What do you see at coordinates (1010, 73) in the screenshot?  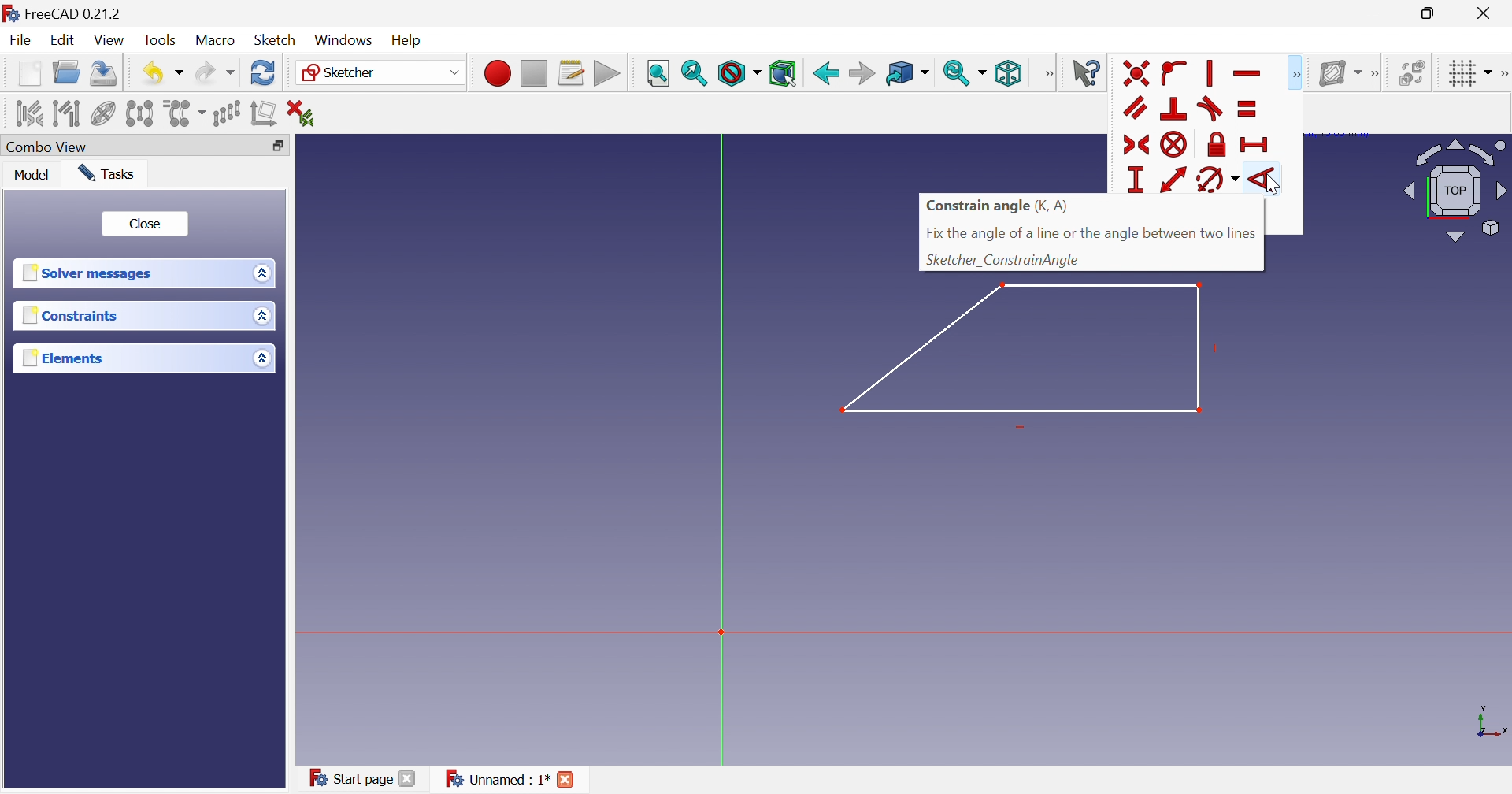 I see `Isometric` at bounding box center [1010, 73].